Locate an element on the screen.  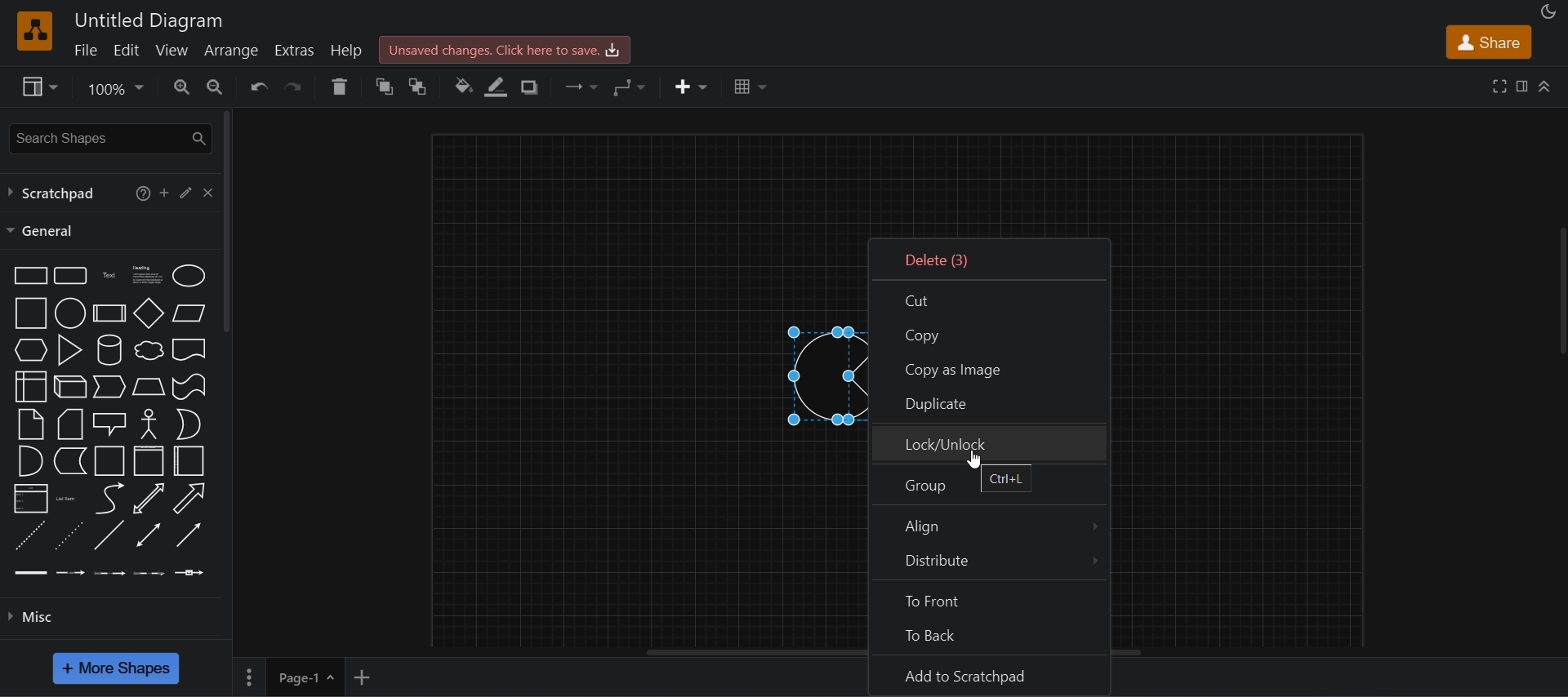
to back is located at coordinates (991, 630).